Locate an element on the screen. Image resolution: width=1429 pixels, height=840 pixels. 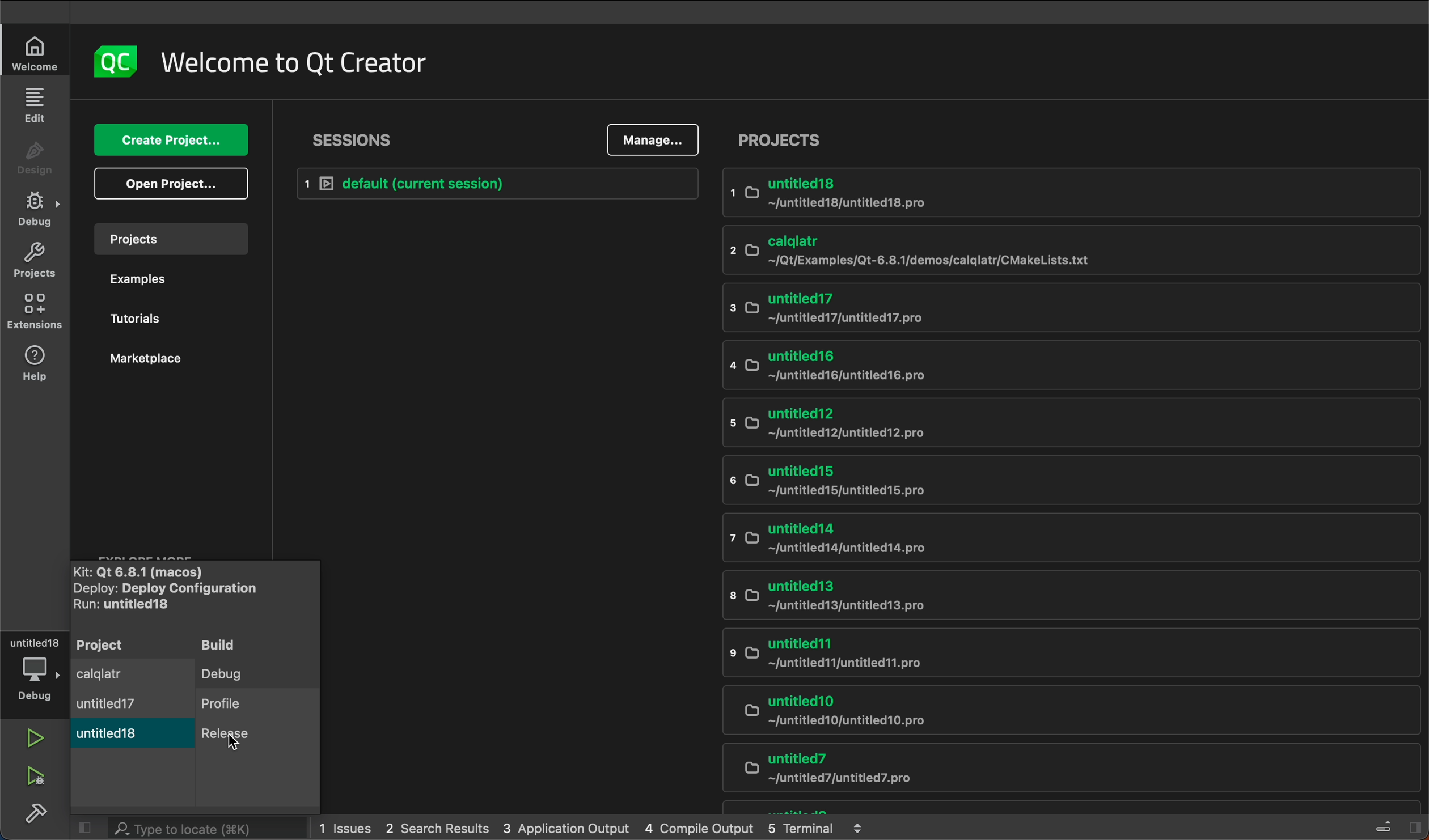
projects is located at coordinates (169, 241).